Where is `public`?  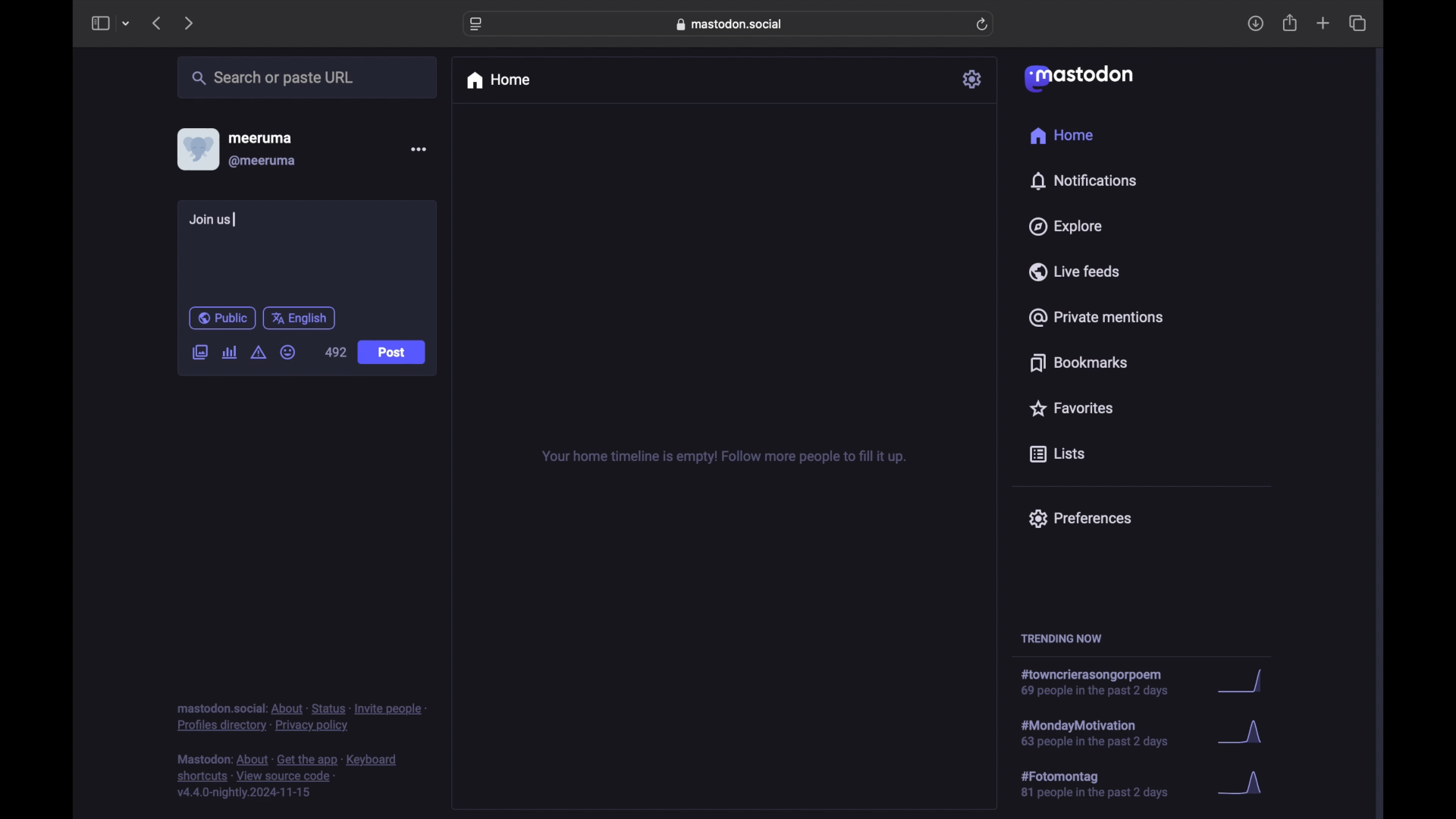 public is located at coordinates (221, 318).